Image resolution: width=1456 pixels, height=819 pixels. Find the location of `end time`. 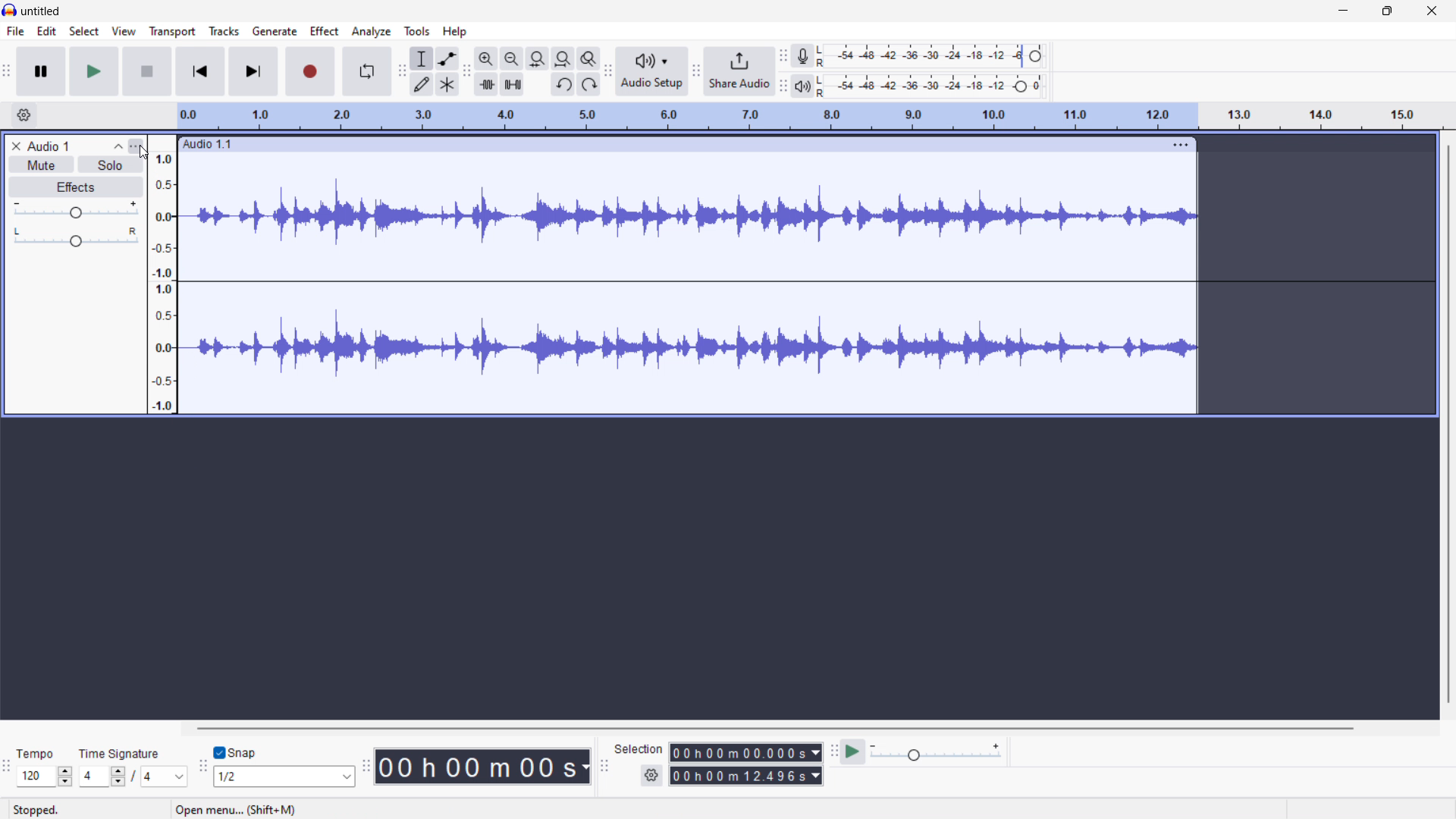

end time is located at coordinates (747, 776).